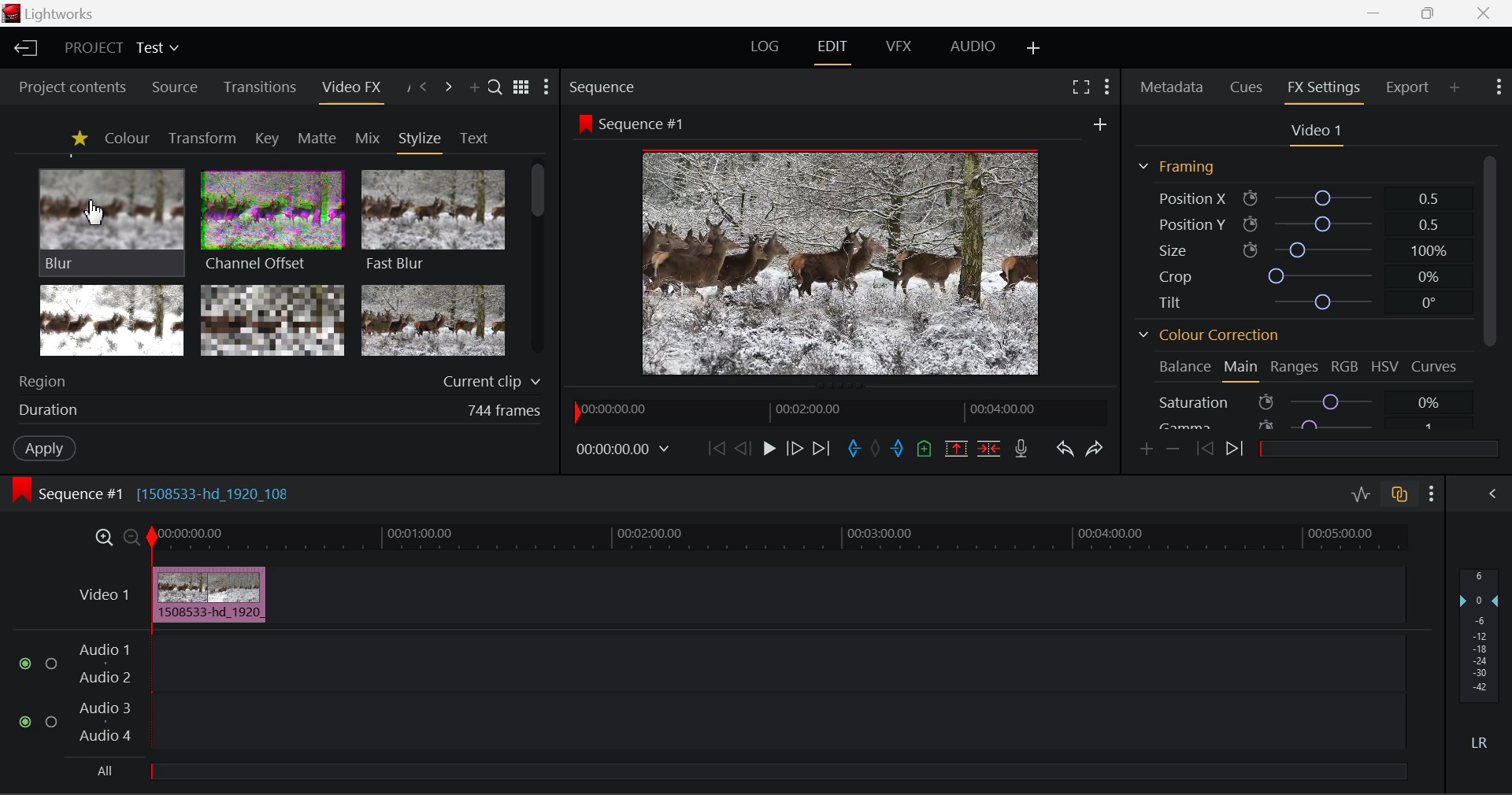  What do you see at coordinates (126, 138) in the screenshot?
I see `Colour` at bounding box center [126, 138].